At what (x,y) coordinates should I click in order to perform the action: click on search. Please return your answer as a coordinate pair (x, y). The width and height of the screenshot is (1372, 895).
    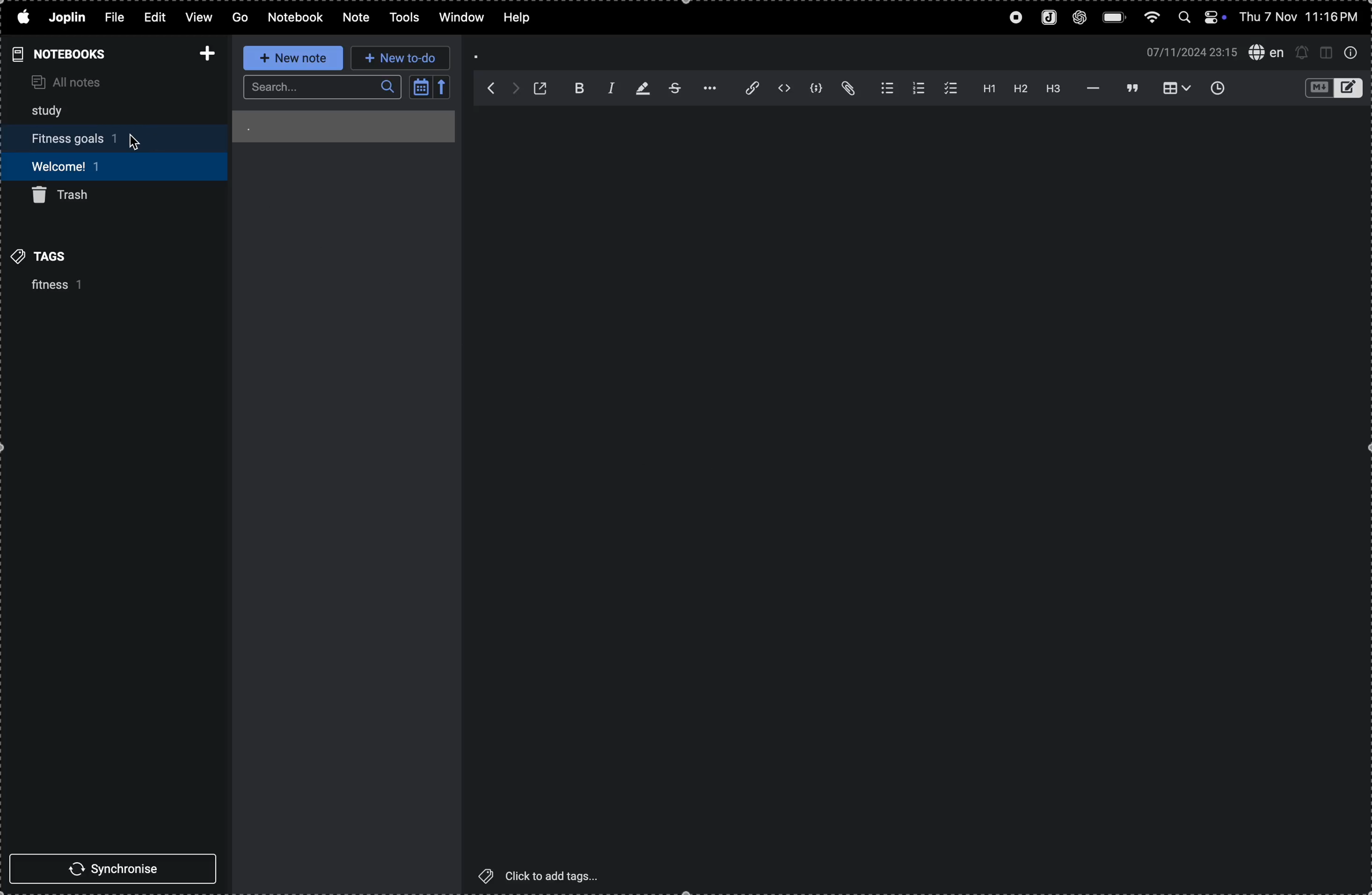
    Looking at the image, I should click on (322, 88).